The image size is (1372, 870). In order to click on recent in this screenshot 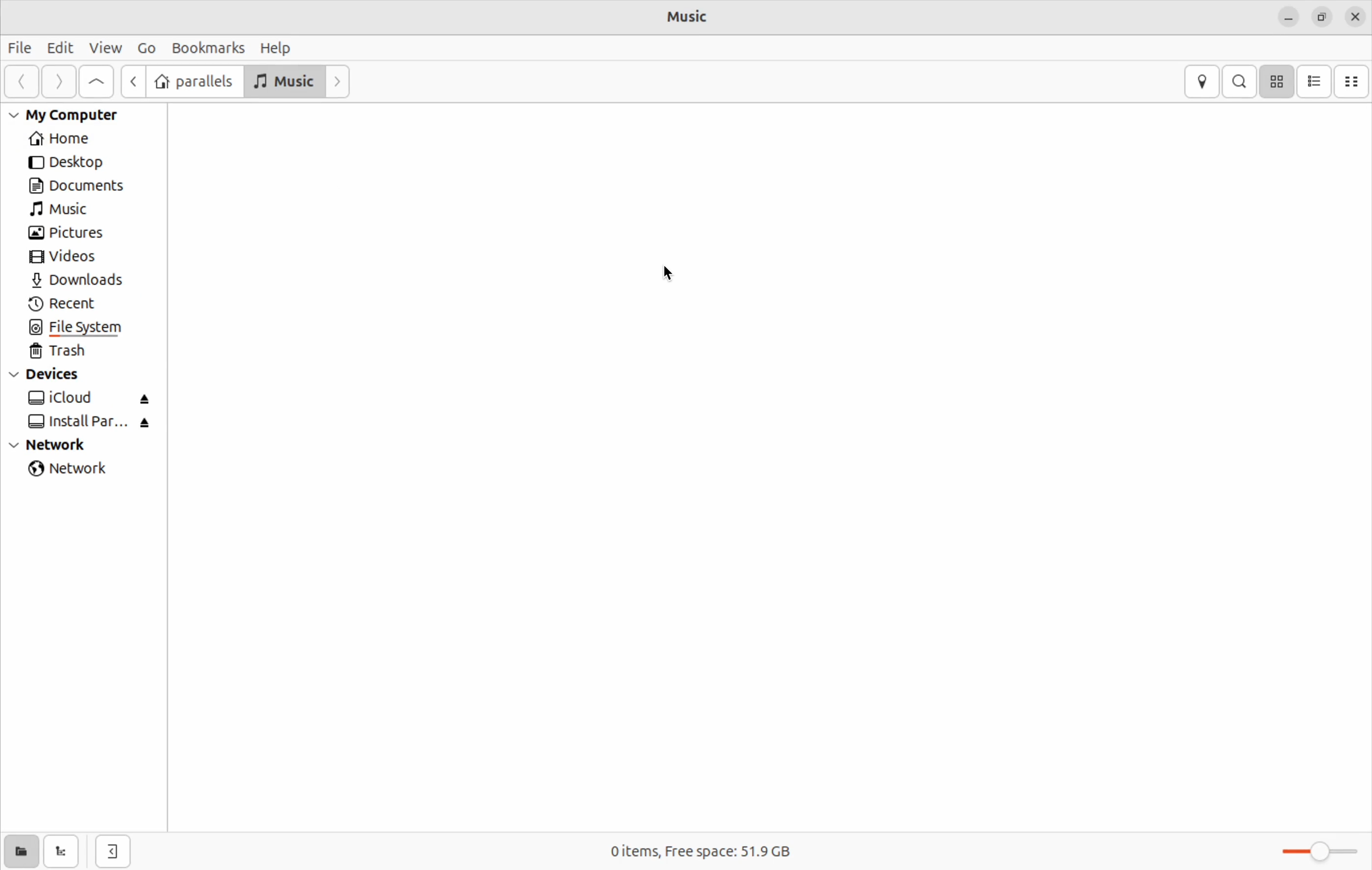, I will do `click(72, 304)`.